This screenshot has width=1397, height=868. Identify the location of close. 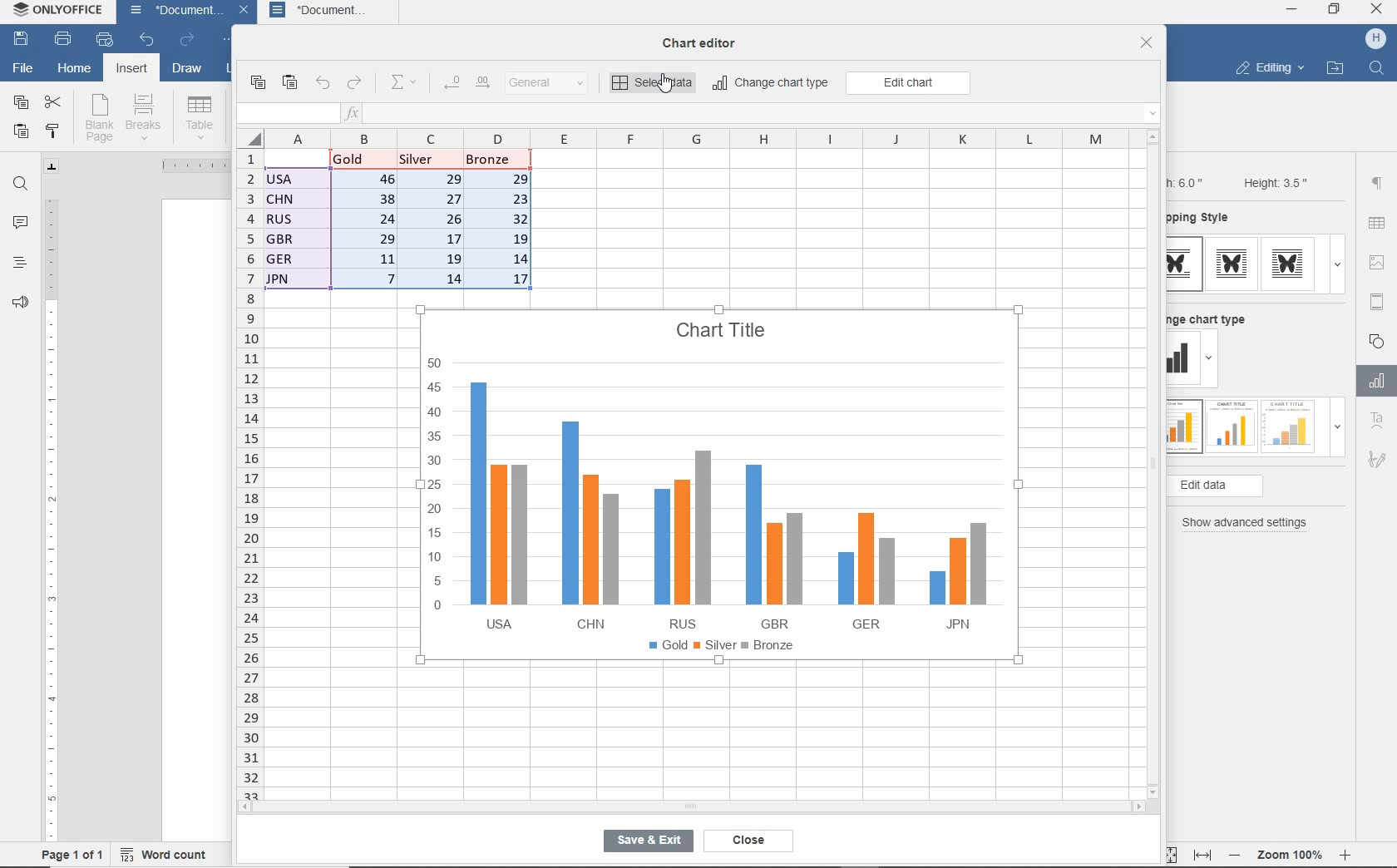
(753, 841).